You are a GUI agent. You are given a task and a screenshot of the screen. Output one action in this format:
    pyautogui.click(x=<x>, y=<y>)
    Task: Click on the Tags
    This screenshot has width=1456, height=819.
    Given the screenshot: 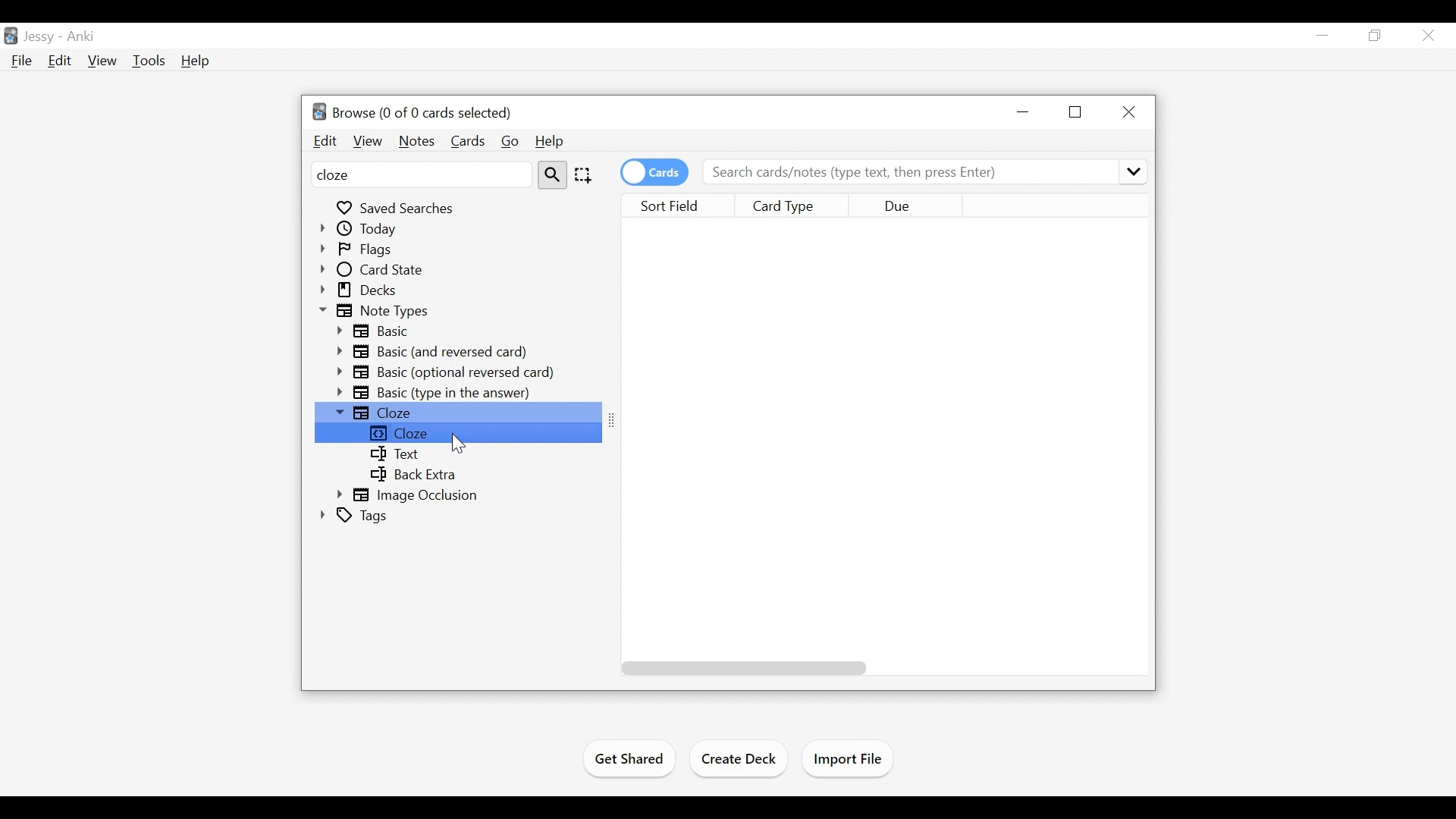 What is the action you would take?
    pyautogui.click(x=356, y=516)
    